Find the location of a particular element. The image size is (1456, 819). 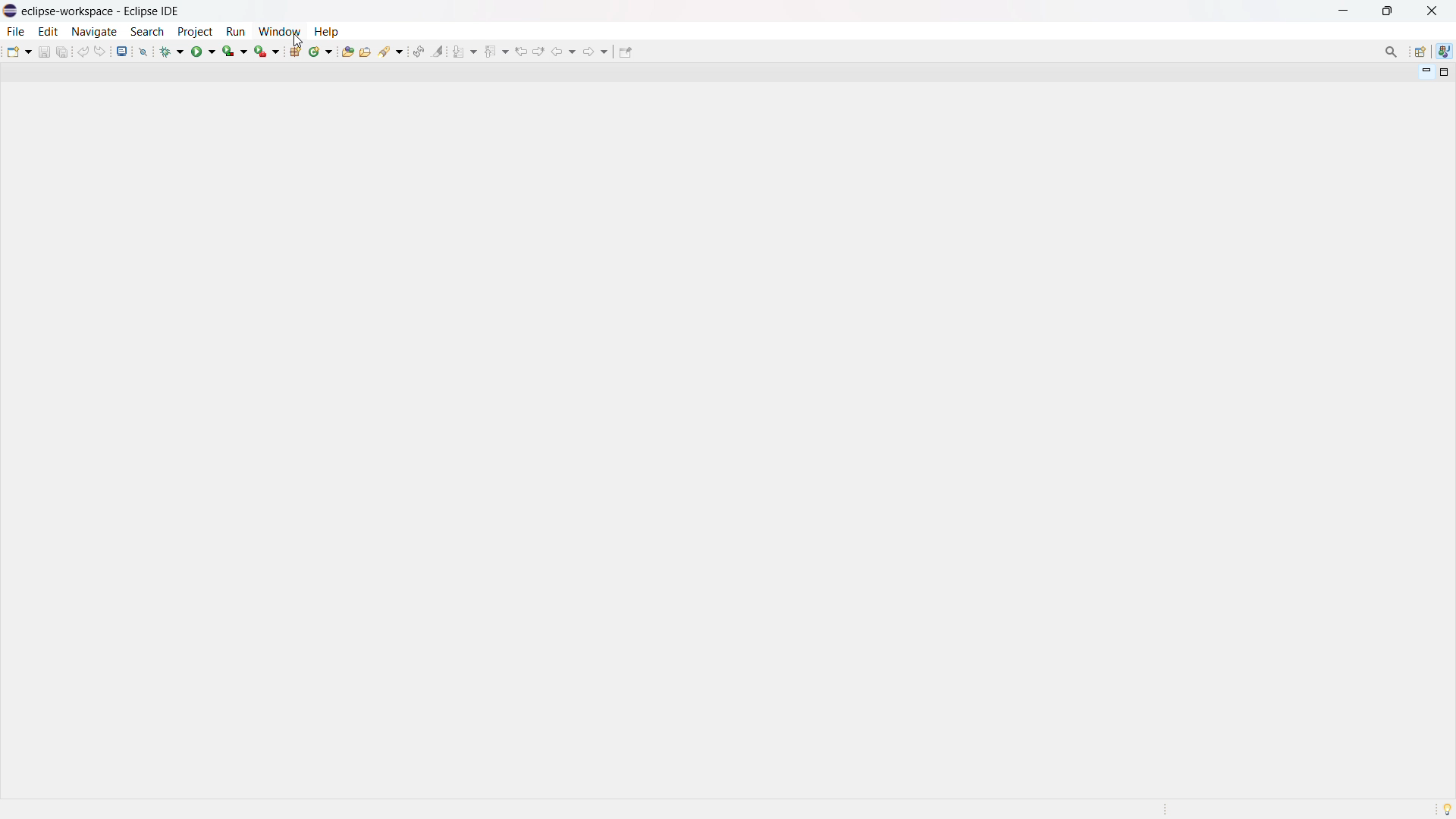

next annotation is located at coordinates (465, 51).